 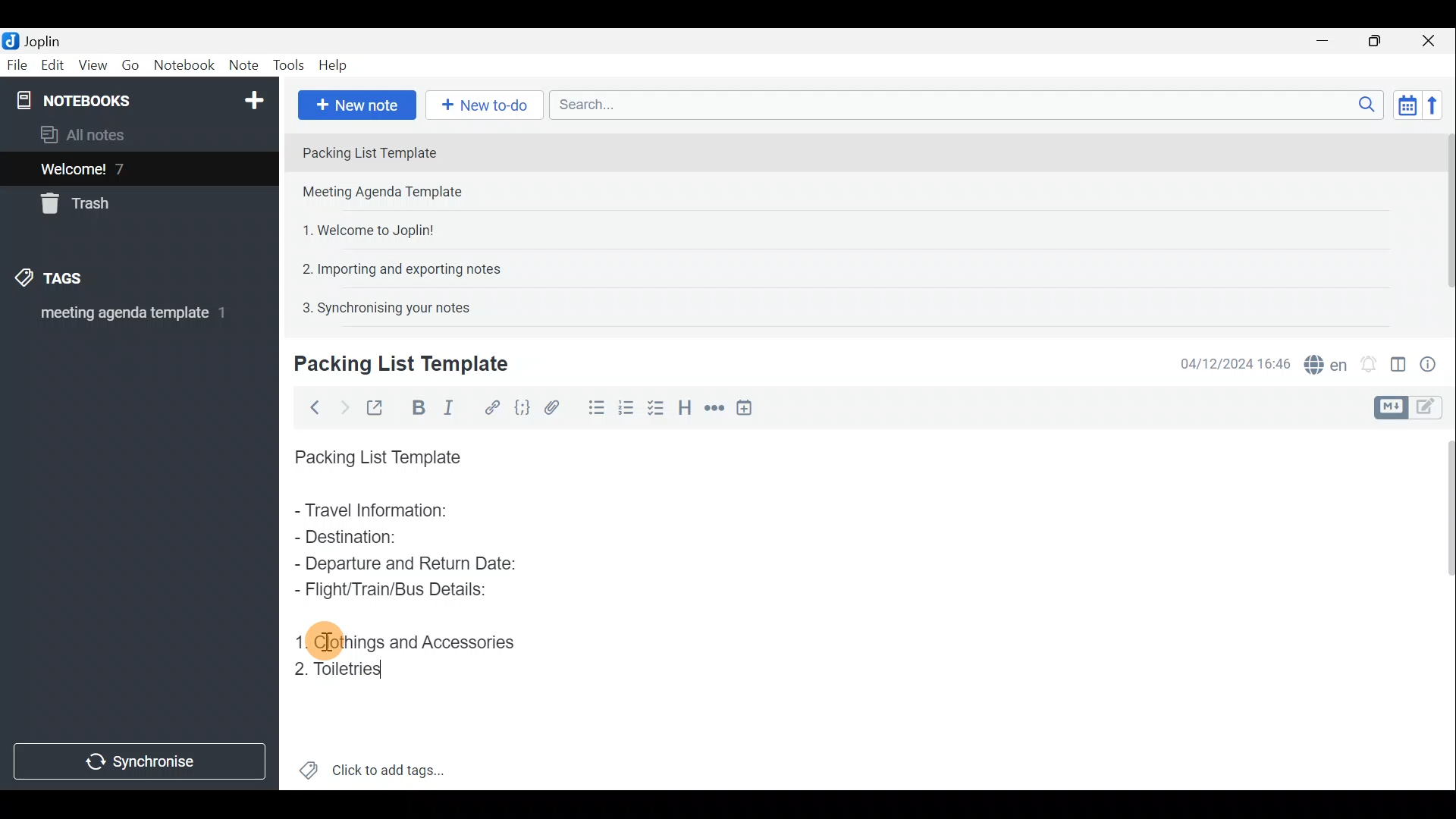 I want to click on Note 1, so click(x=424, y=151).